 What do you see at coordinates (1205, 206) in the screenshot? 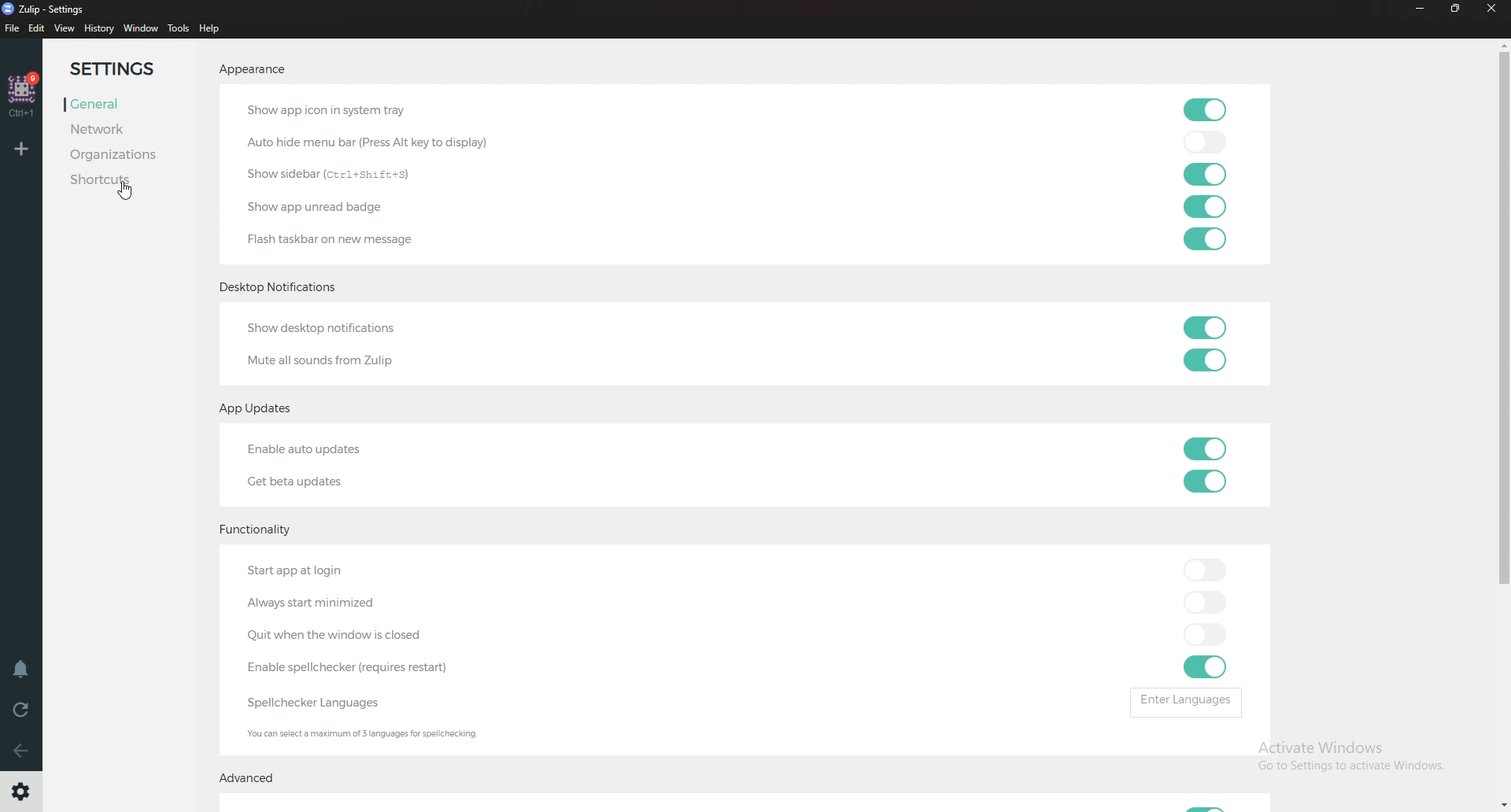
I see `toggle` at bounding box center [1205, 206].